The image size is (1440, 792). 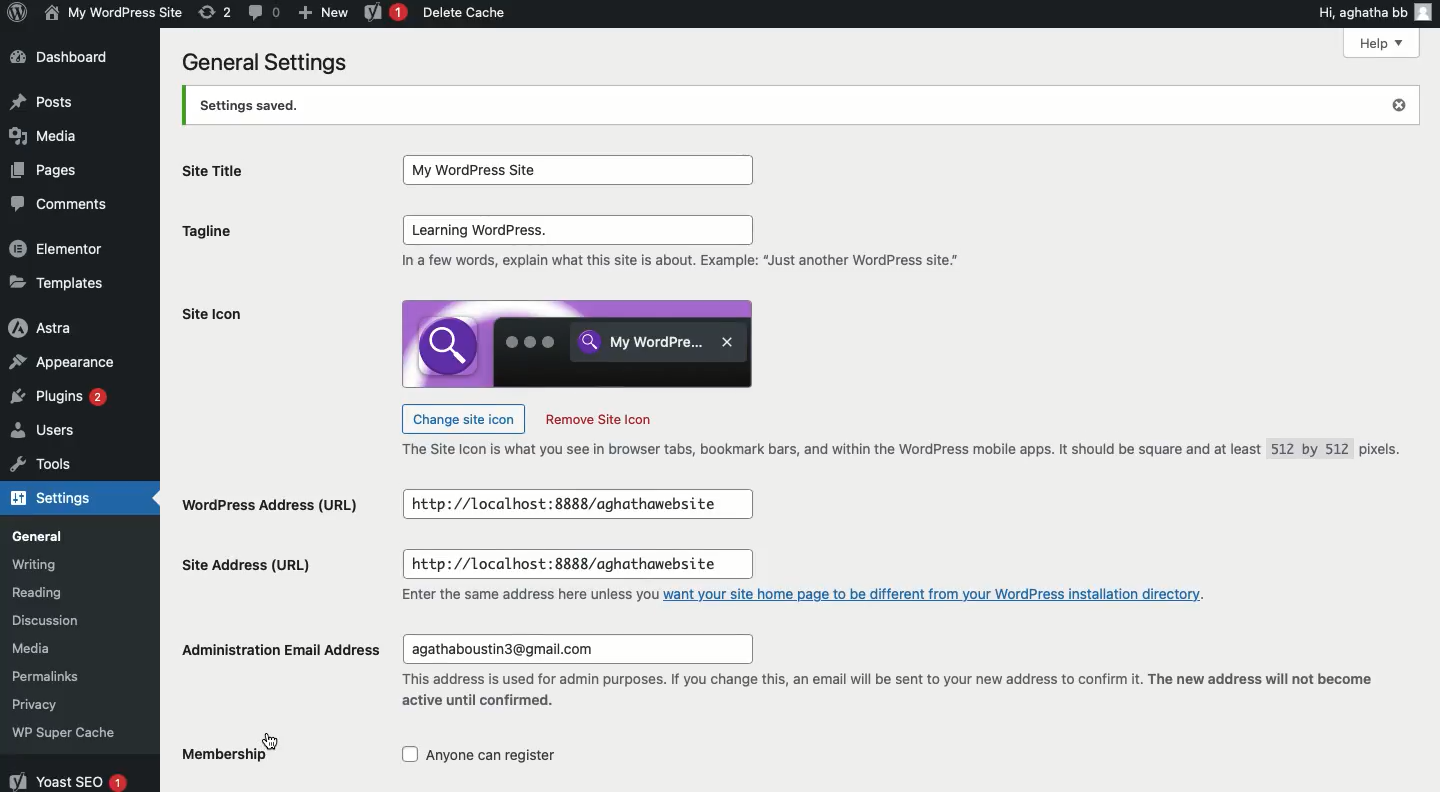 What do you see at coordinates (111, 12) in the screenshot?
I see `My wordpress site` at bounding box center [111, 12].